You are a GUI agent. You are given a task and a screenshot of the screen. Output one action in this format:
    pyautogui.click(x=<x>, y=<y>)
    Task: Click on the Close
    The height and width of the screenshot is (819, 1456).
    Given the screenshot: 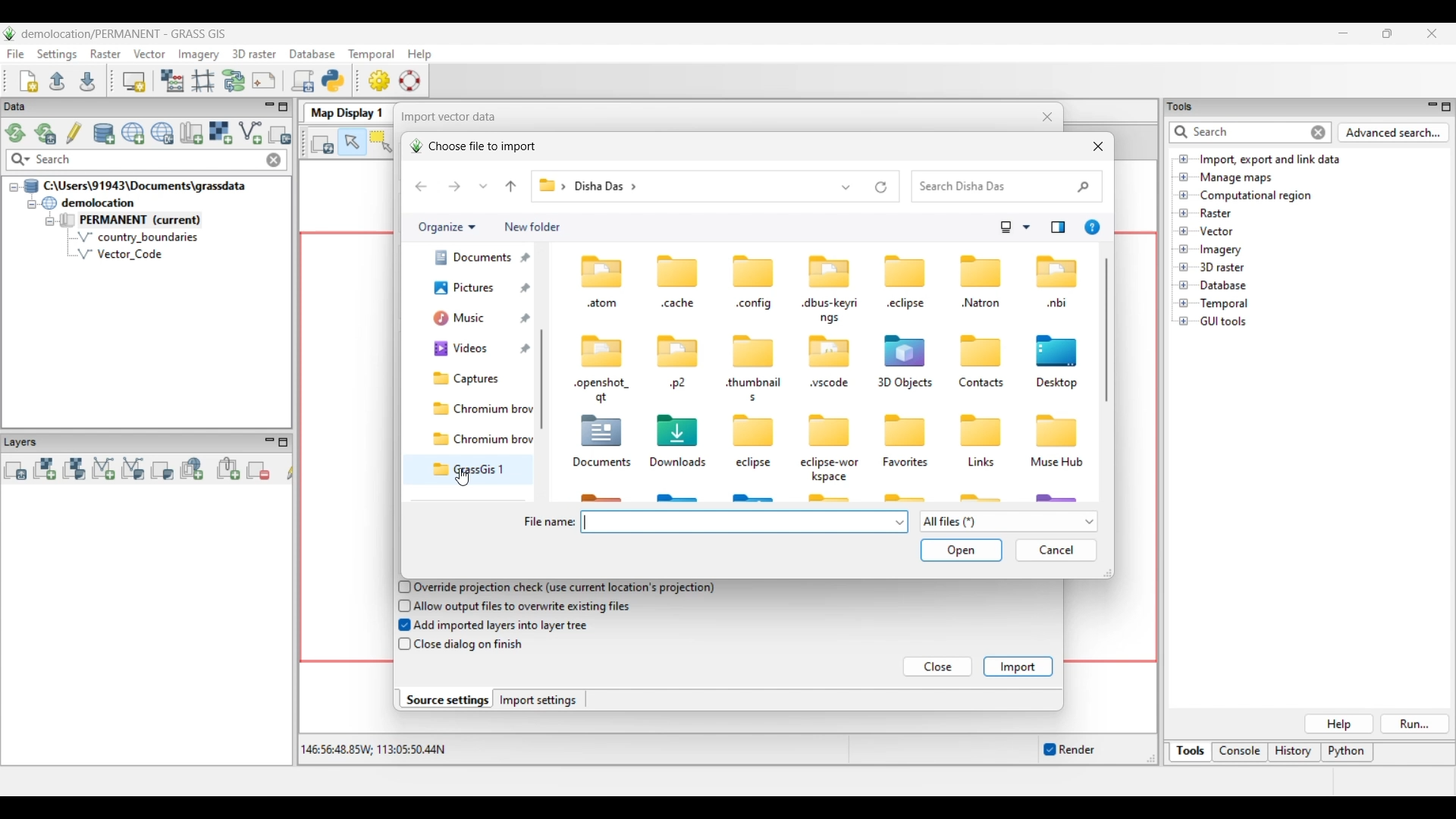 What is the action you would take?
    pyautogui.click(x=939, y=667)
    